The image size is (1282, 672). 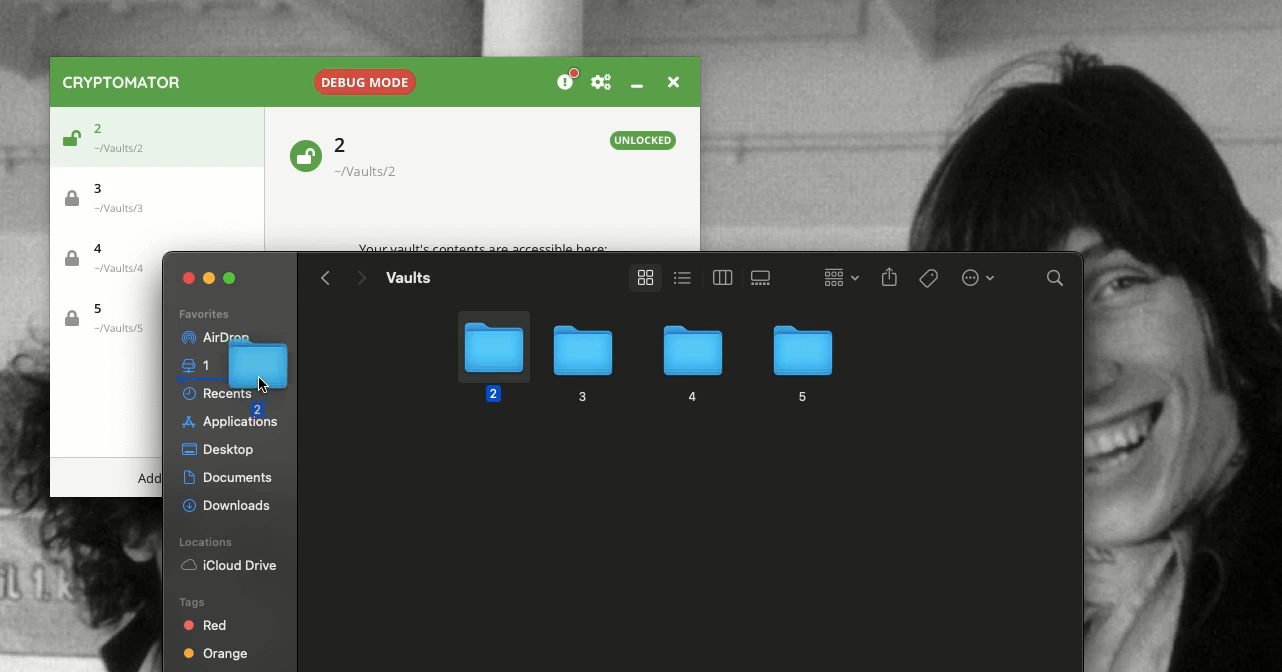 I want to click on iCloud Drive, so click(x=229, y=567).